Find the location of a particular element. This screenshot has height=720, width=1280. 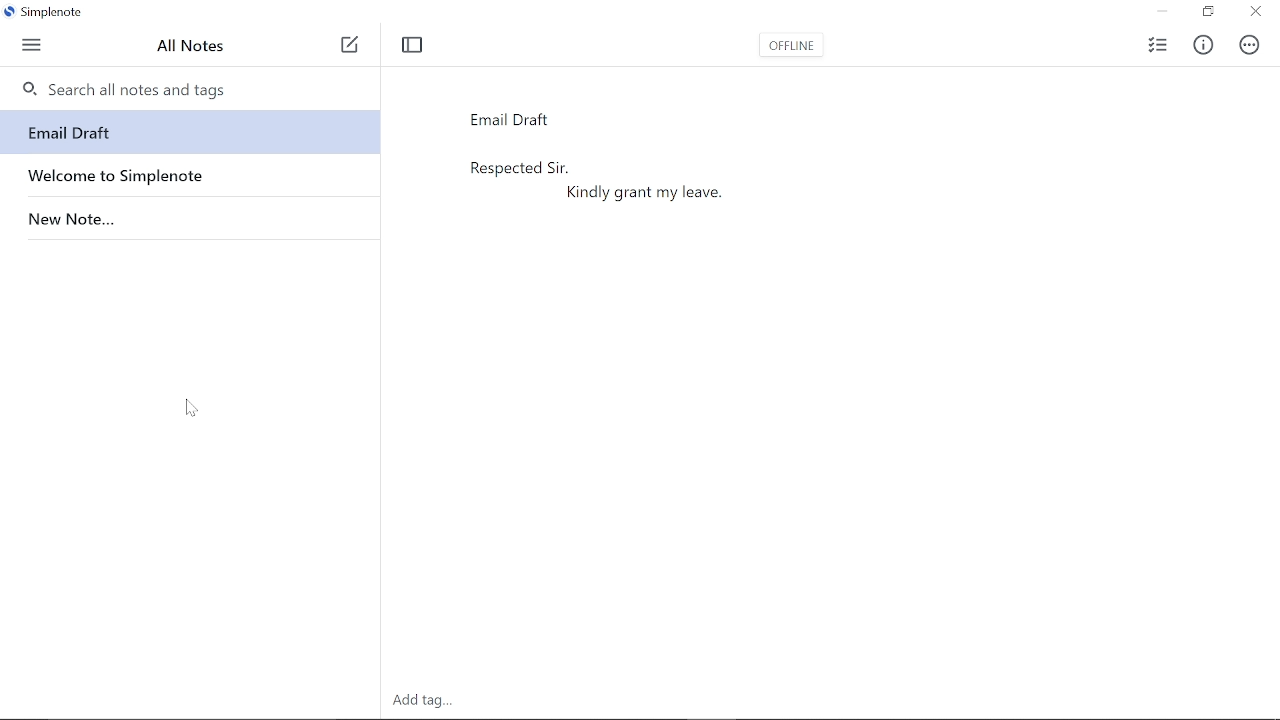

Respected Sir kindly grant my leave. is located at coordinates (664, 385).